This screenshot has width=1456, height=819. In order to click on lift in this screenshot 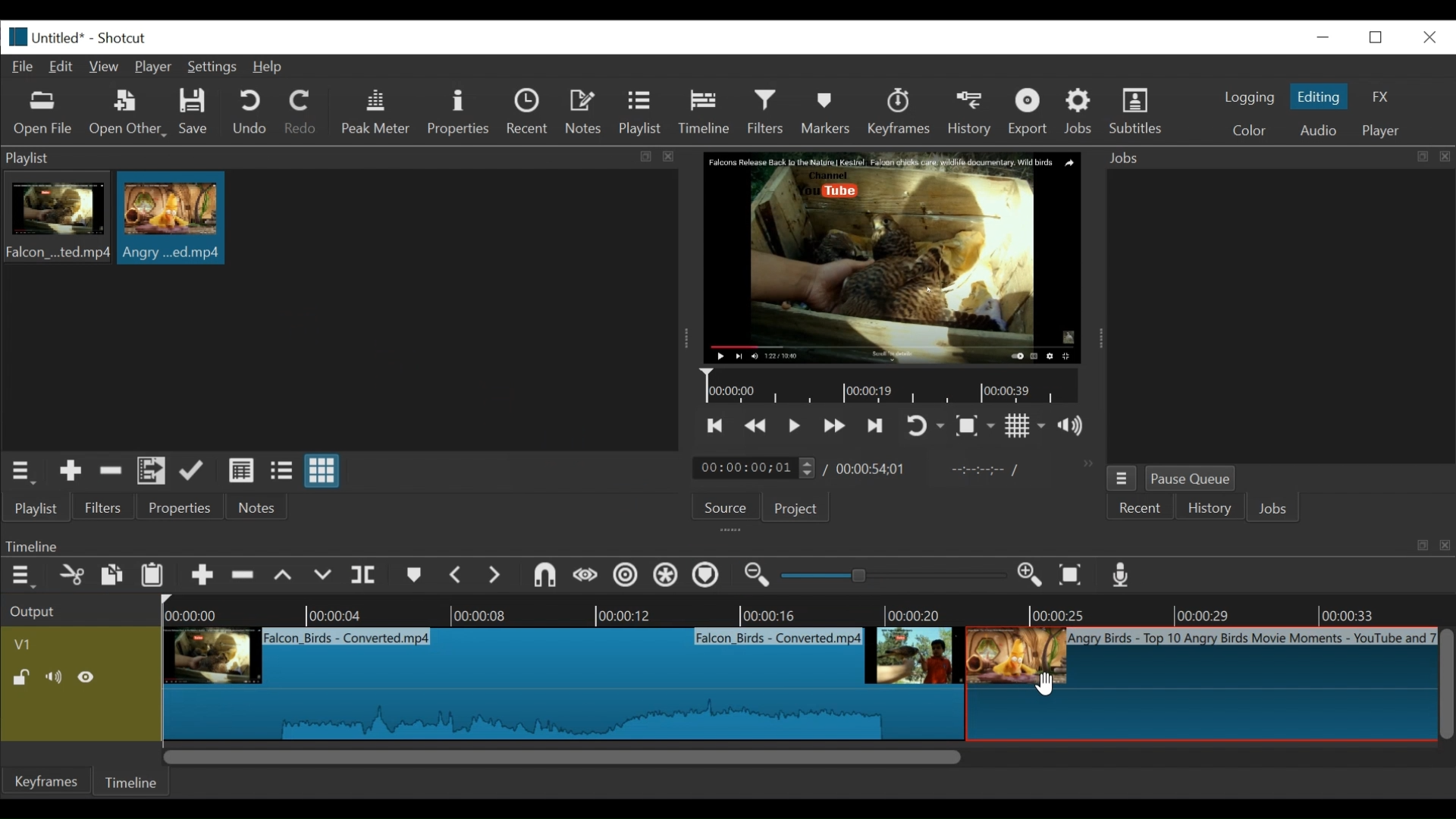, I will do `click(285, 577)`.